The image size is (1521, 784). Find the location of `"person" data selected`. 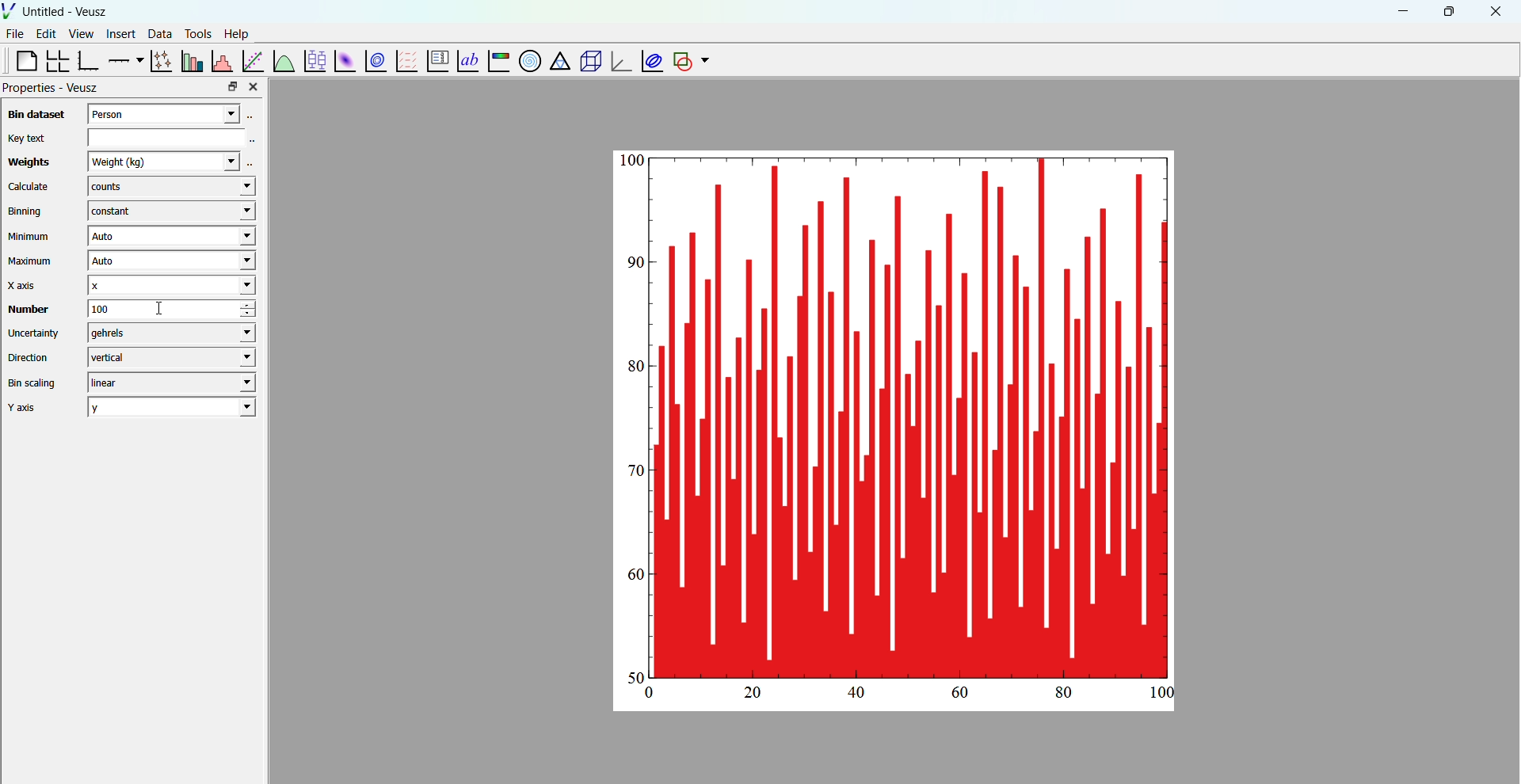

"person" data selected is located at coordinates (175, 112).